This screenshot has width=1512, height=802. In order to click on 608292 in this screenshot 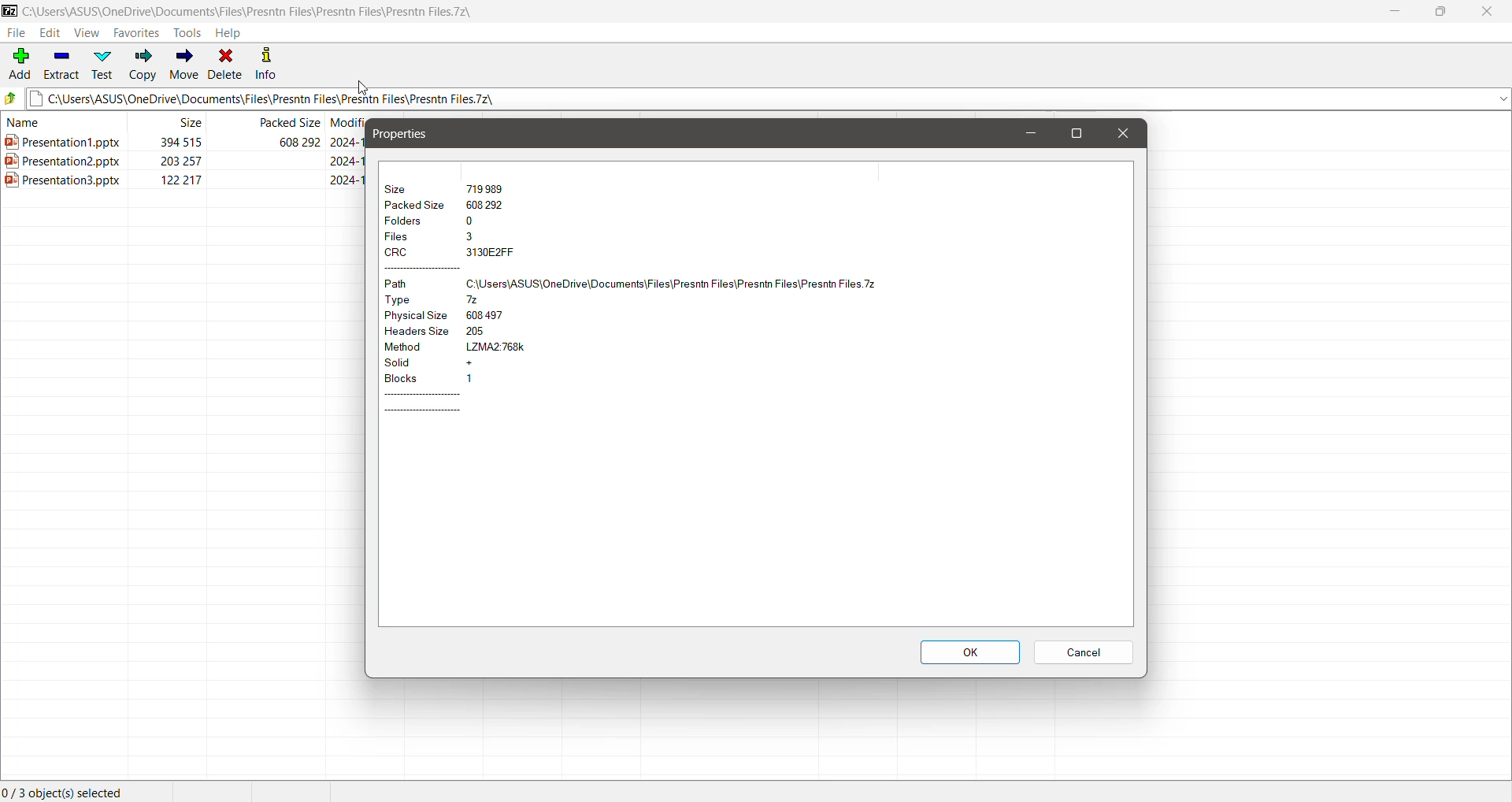, I will do `click(287, 143)`.